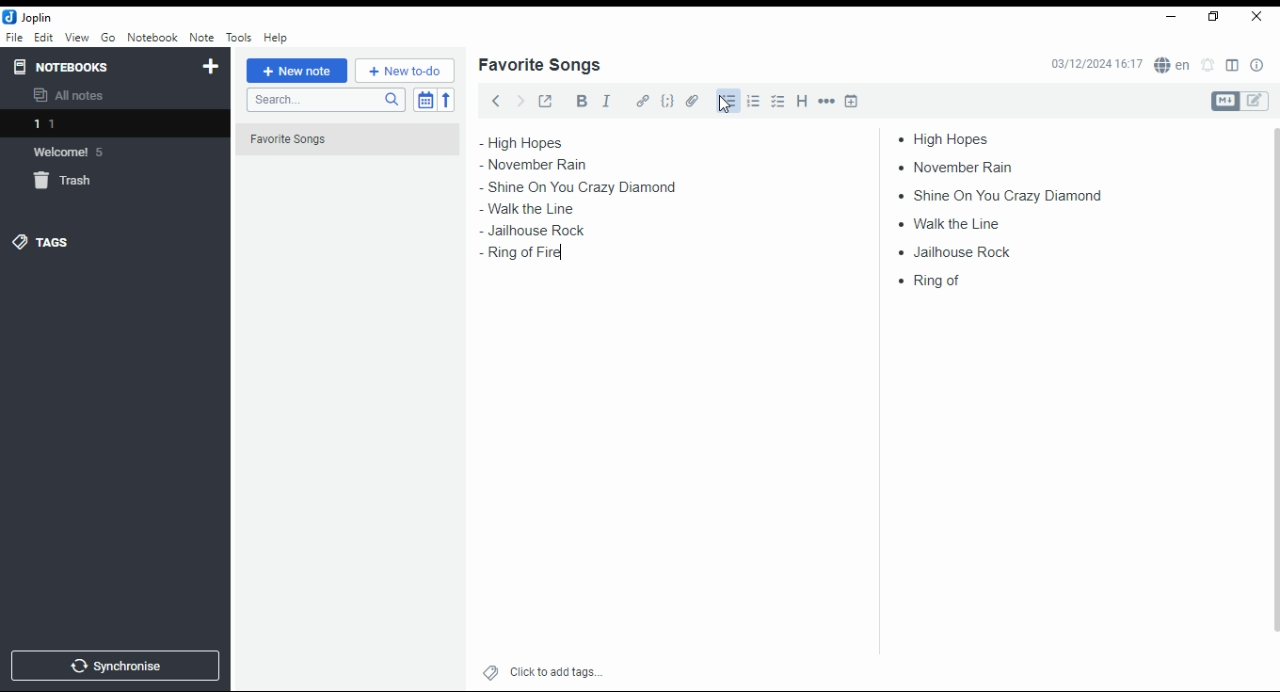 This screenshot has height=692, width=1280. I want to click on new notebook, so click(211, 67).